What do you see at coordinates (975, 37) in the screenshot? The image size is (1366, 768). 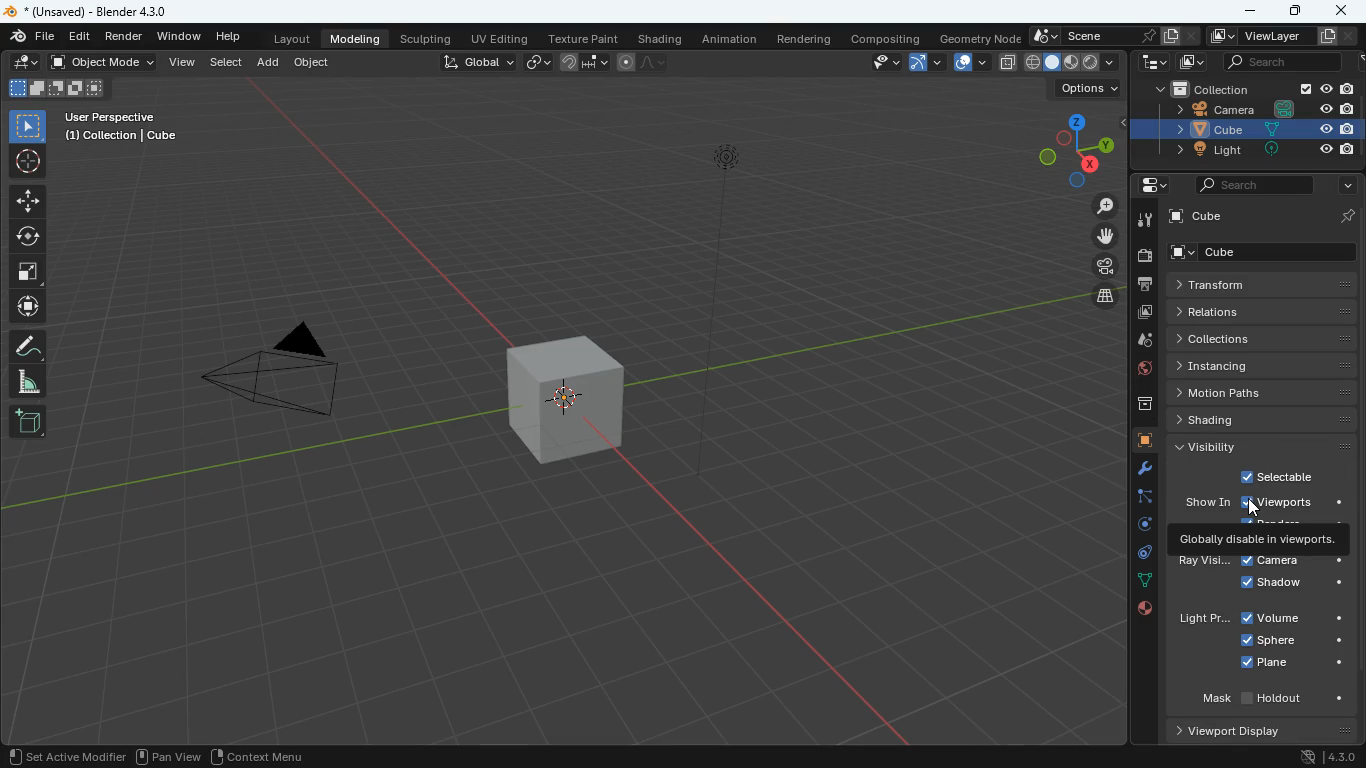 I see `geometry node` at bounding box center [975, 37].